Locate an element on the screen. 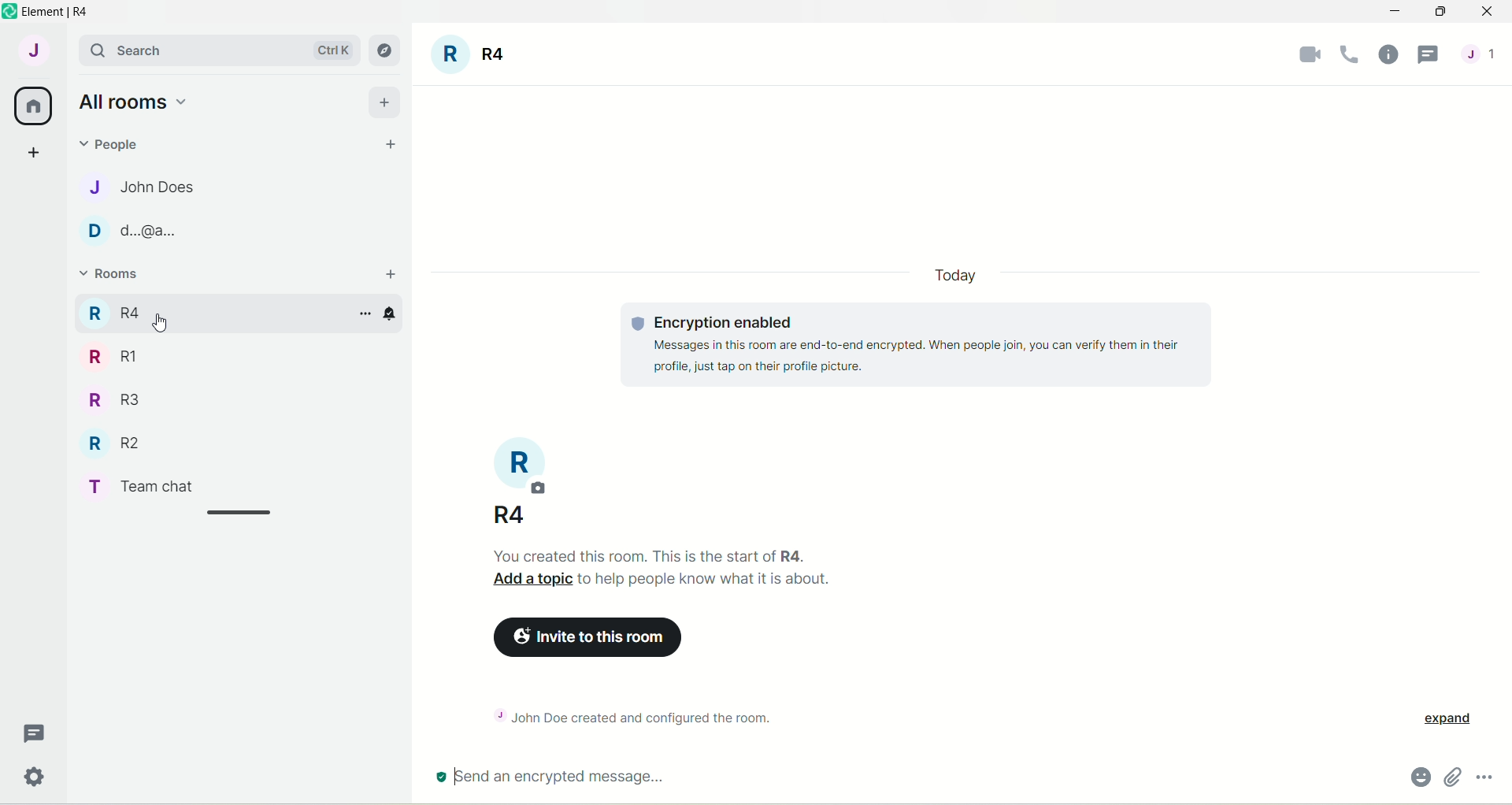 Image resolution: width=1512 pixels, height=805 pixels. search is located at coordinates (163, 49).